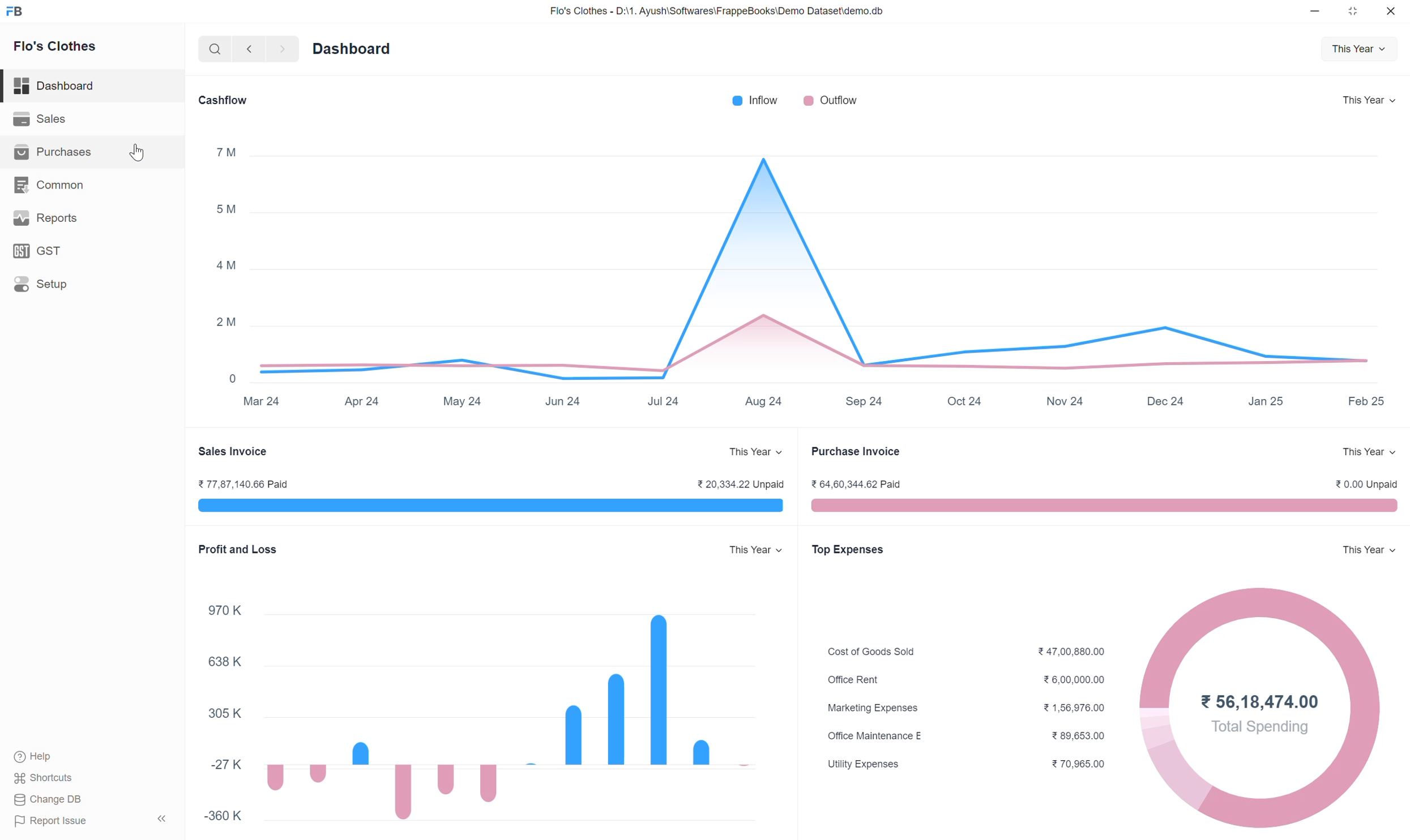 The width and height of the screenshot is (1410, 840). What do you see at coordinates (225, 610) in the screenshot?
I see `970 K` at bounding box center [225, 610].